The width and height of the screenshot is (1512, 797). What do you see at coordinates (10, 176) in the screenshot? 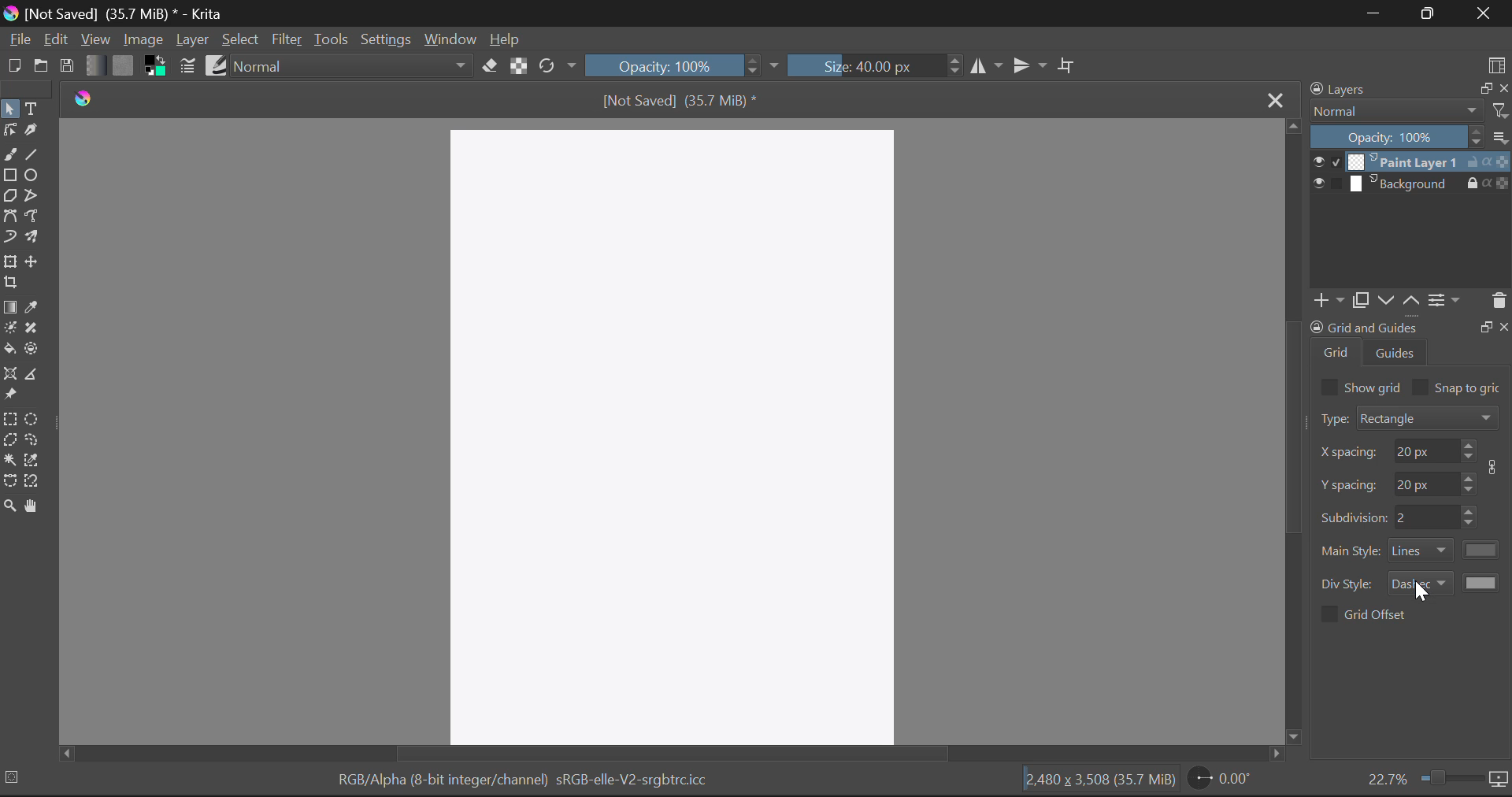
I see `Rectangle` at bounding box center [10, 176].